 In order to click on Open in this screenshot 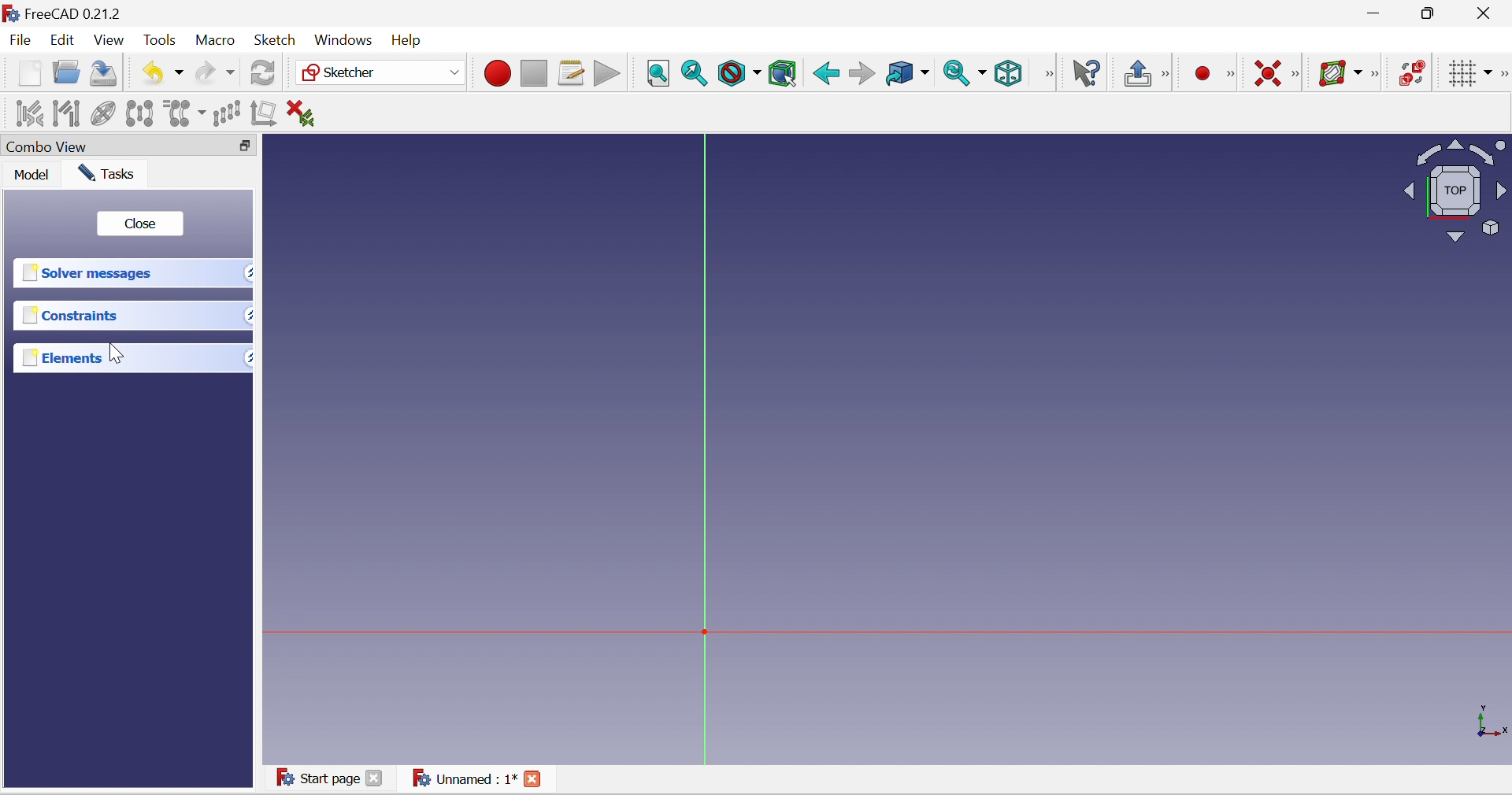, I will do `click(64, 71)`.